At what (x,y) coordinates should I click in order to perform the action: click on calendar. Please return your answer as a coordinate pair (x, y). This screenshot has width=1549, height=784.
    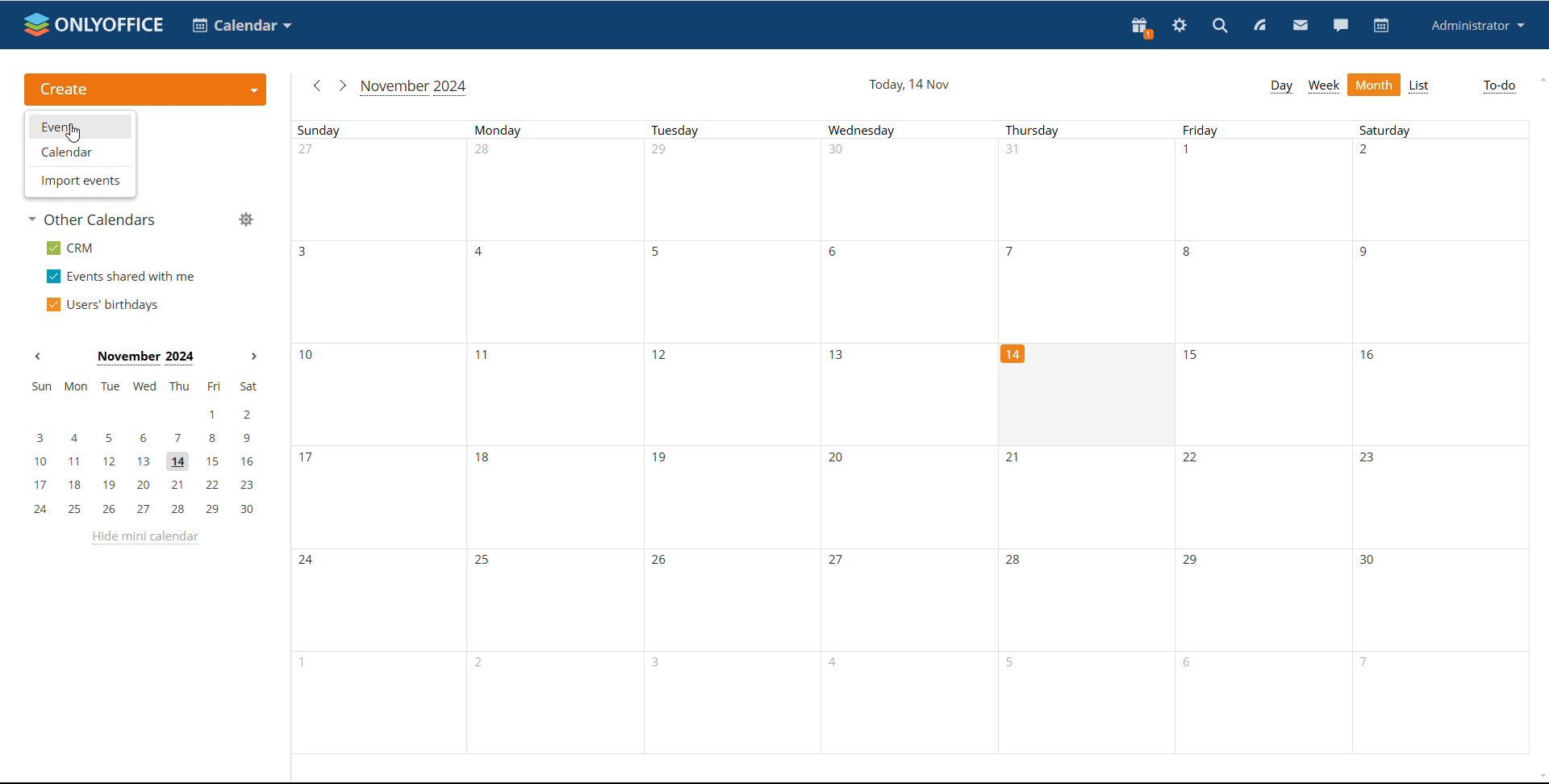
    Looking at the image, I should click on (242, 25).